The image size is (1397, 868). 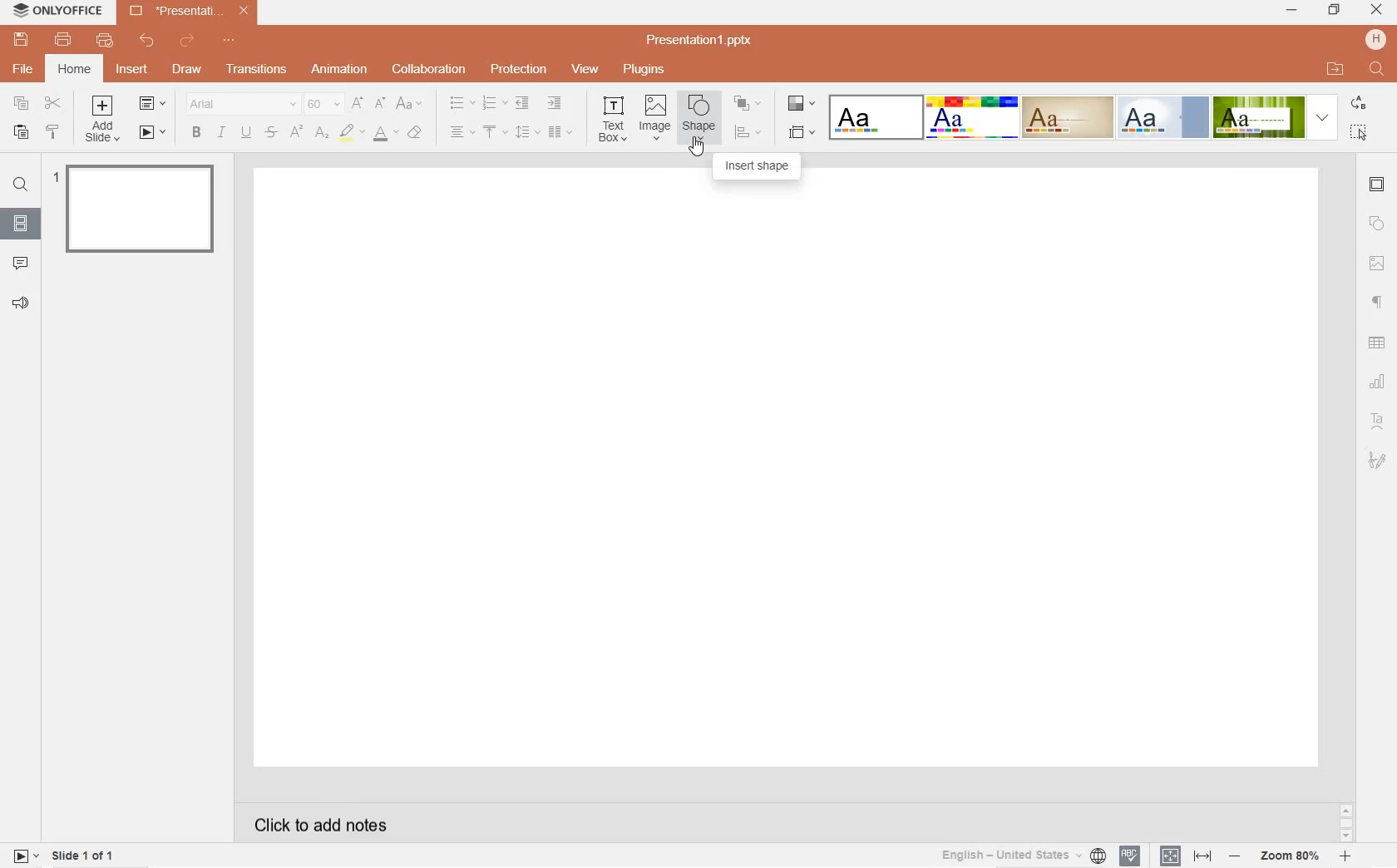 I want to click on image, so click(x=654, y=118).